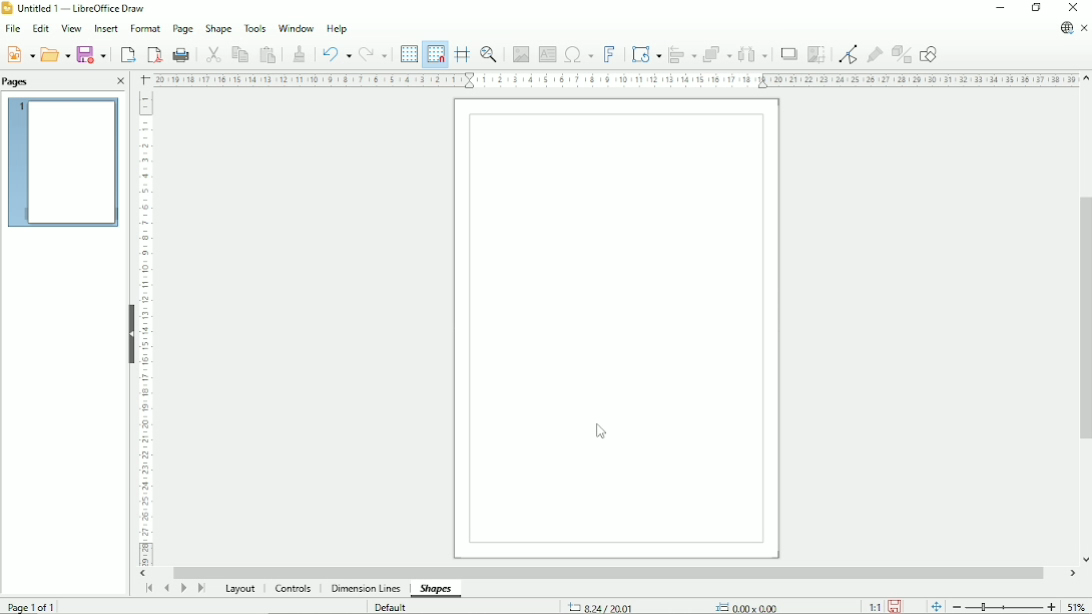 The height and width of the screenshot is (614, 1092). I want to click on Canvas, so click(616, 329).